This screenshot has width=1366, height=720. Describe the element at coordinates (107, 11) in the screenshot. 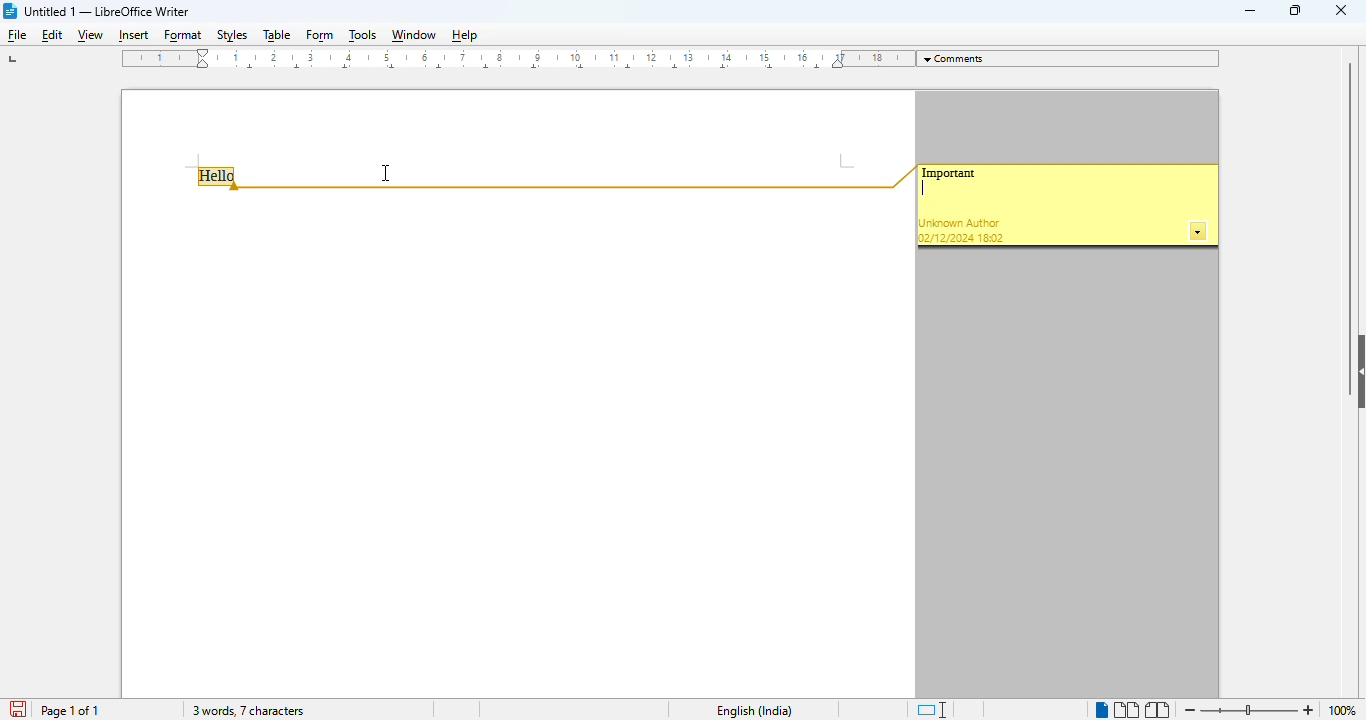

I see `title` at that location.